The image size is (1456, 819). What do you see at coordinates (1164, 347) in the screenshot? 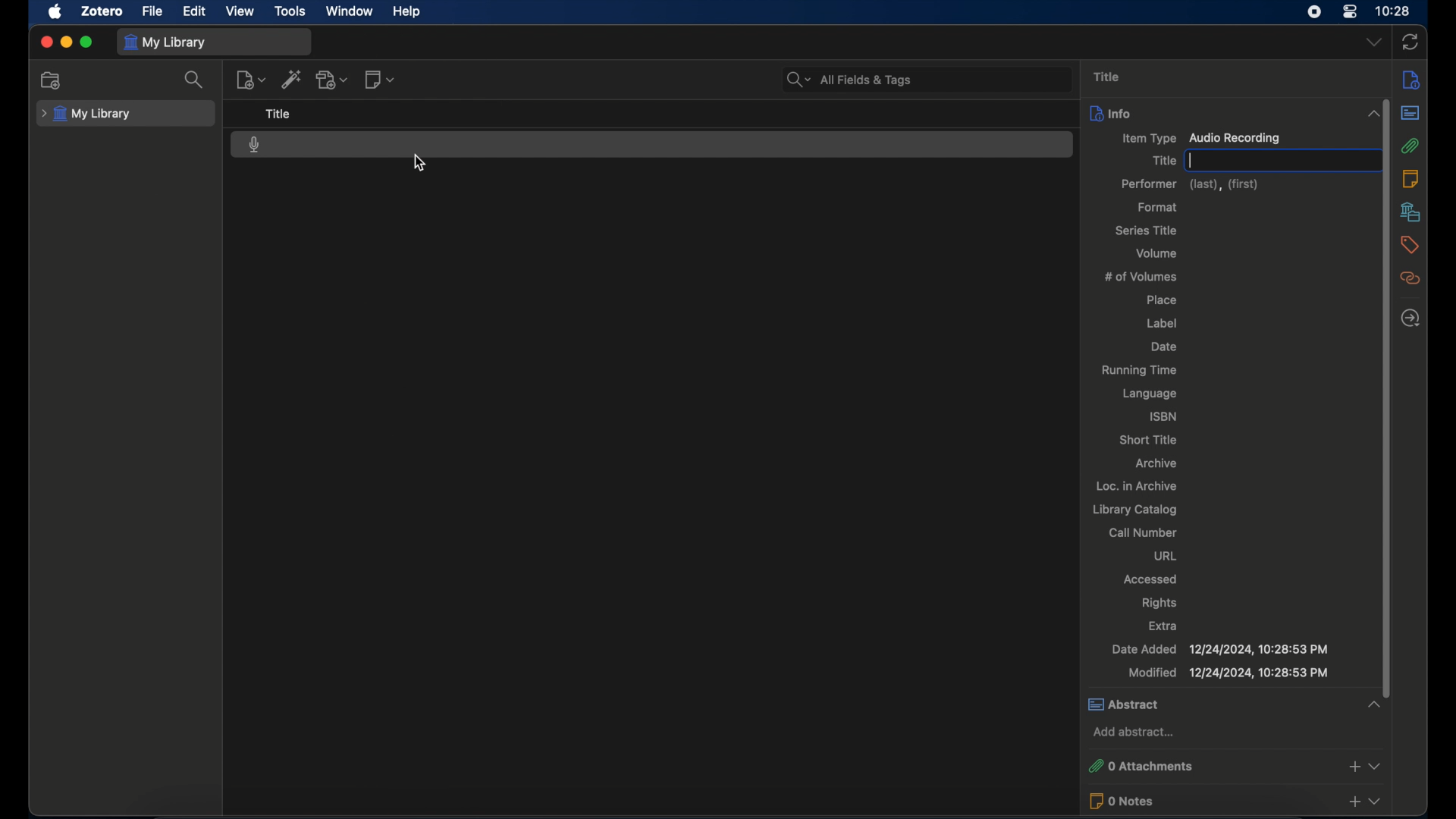
I see `date` at bounding box center [1164, 347].